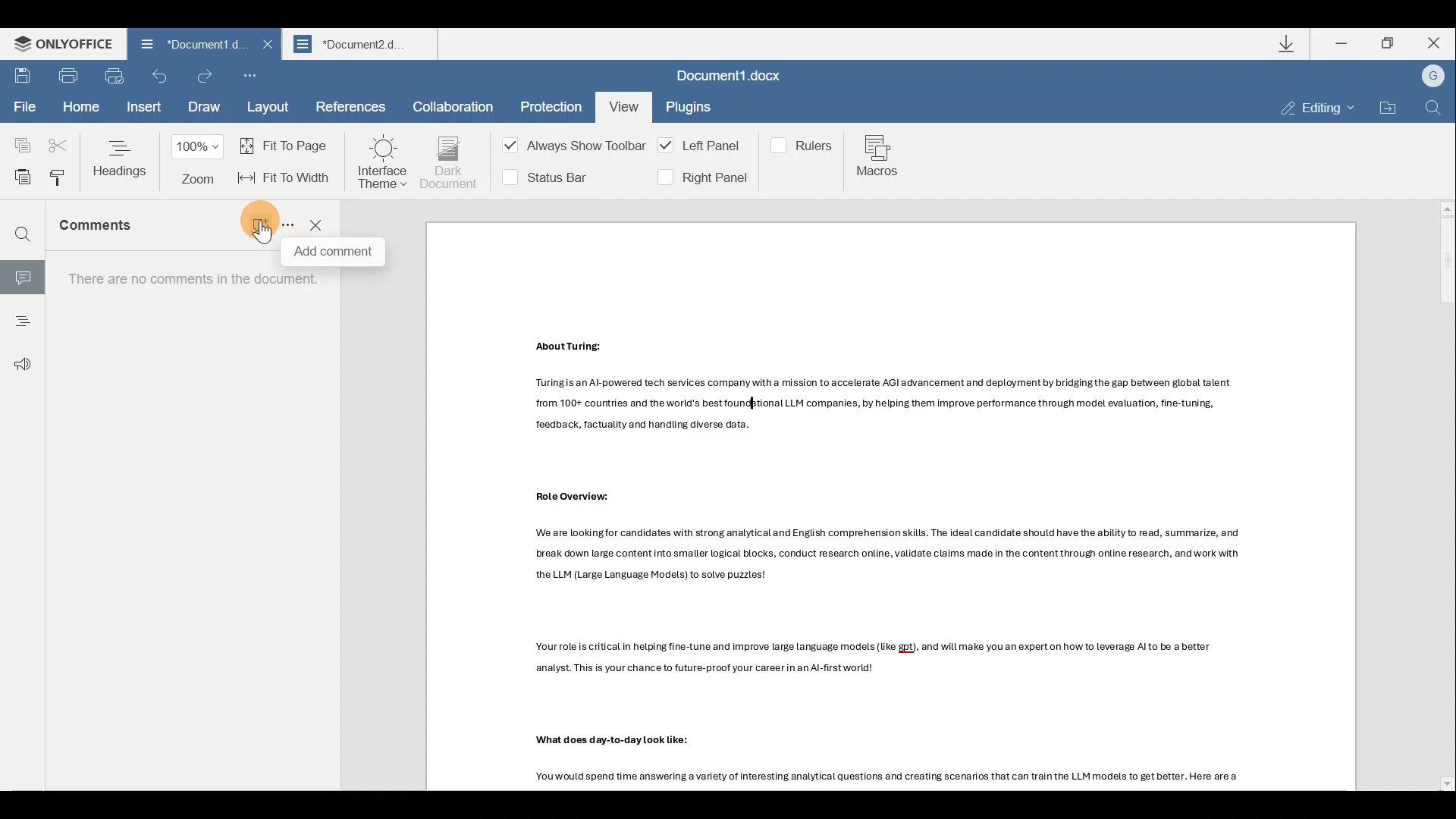 The image size is (1456, 819). I want to click on Customize quick access toolbar, so click(255, 77).